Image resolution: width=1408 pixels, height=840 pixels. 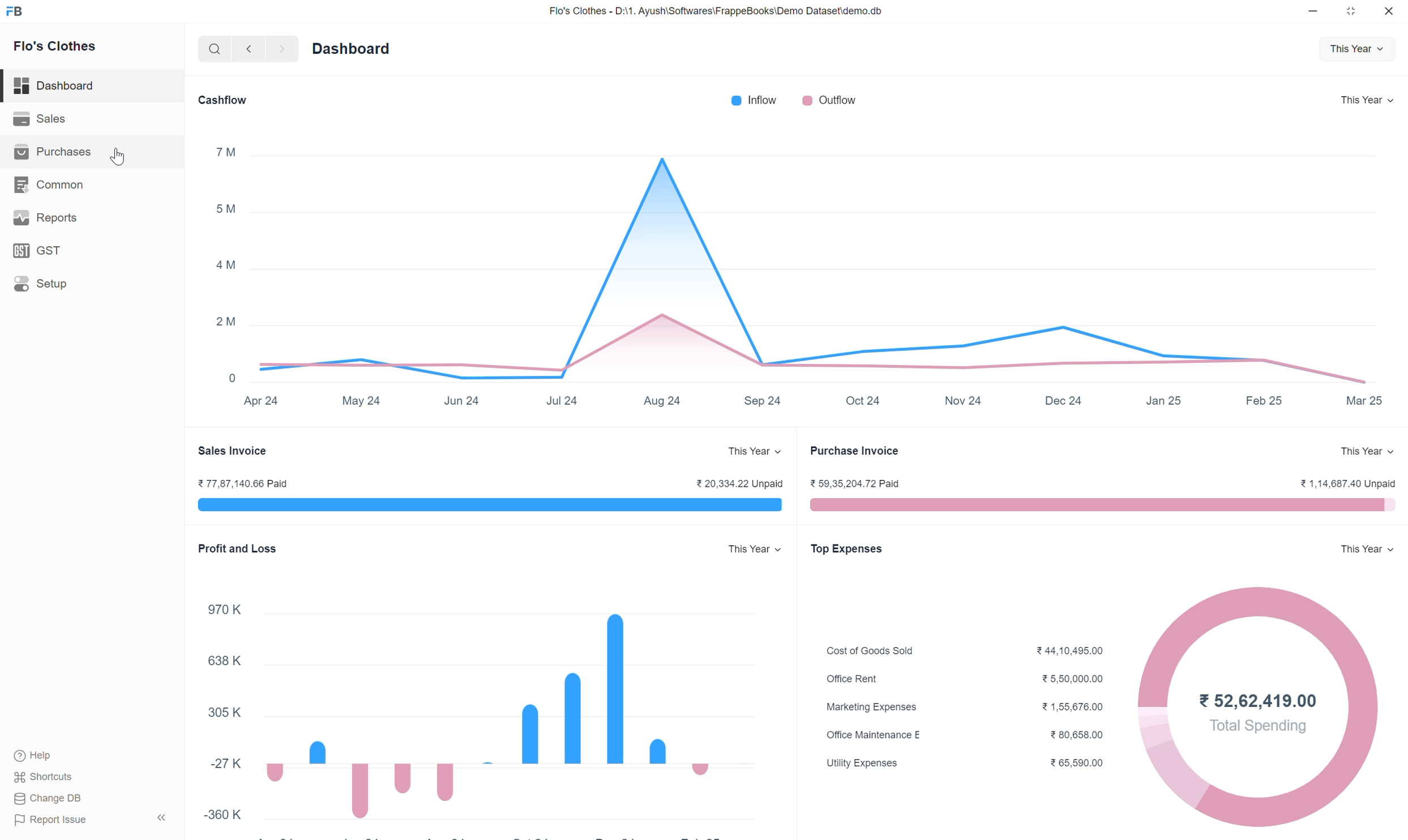 I want to click on Jun 24, so click(x=461, y=401).